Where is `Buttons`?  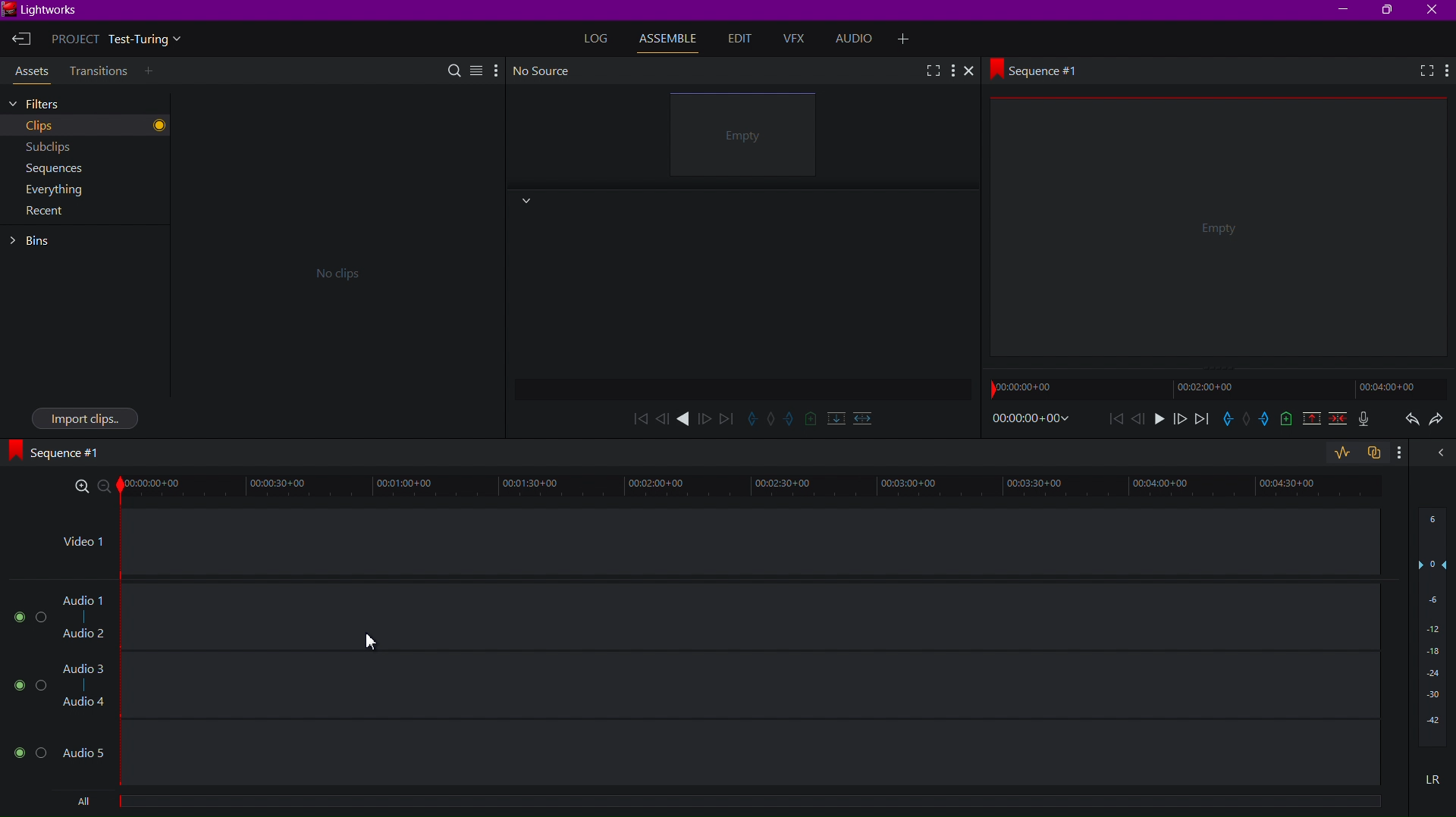 Buttons is located at coordinates (27, 684).